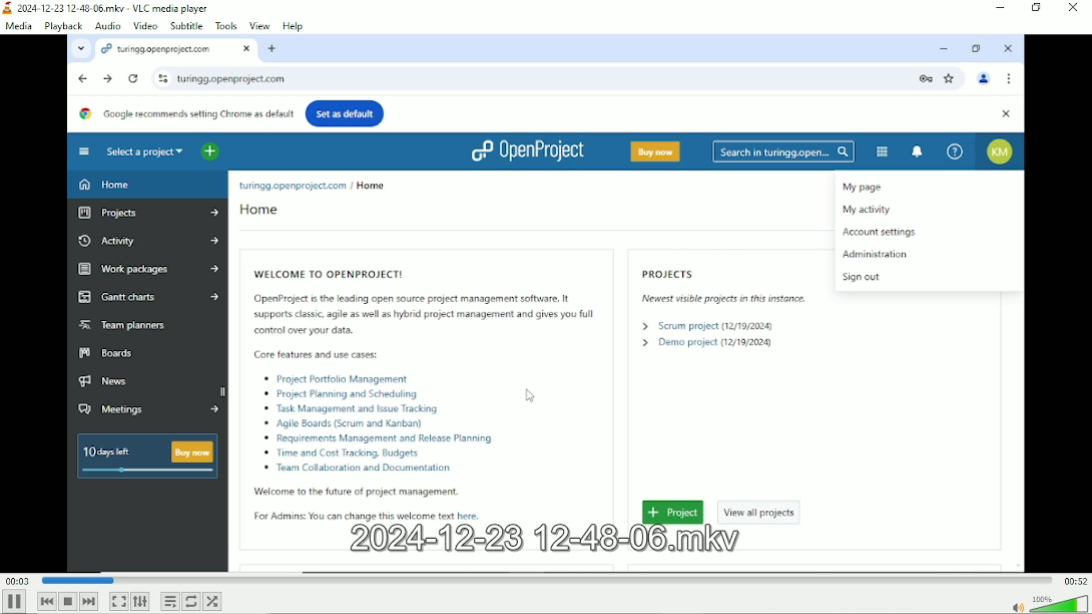 Image resolution: width=1092 pixels, height=614 pixels. I want to click on Restore down, so click(1035, 7).